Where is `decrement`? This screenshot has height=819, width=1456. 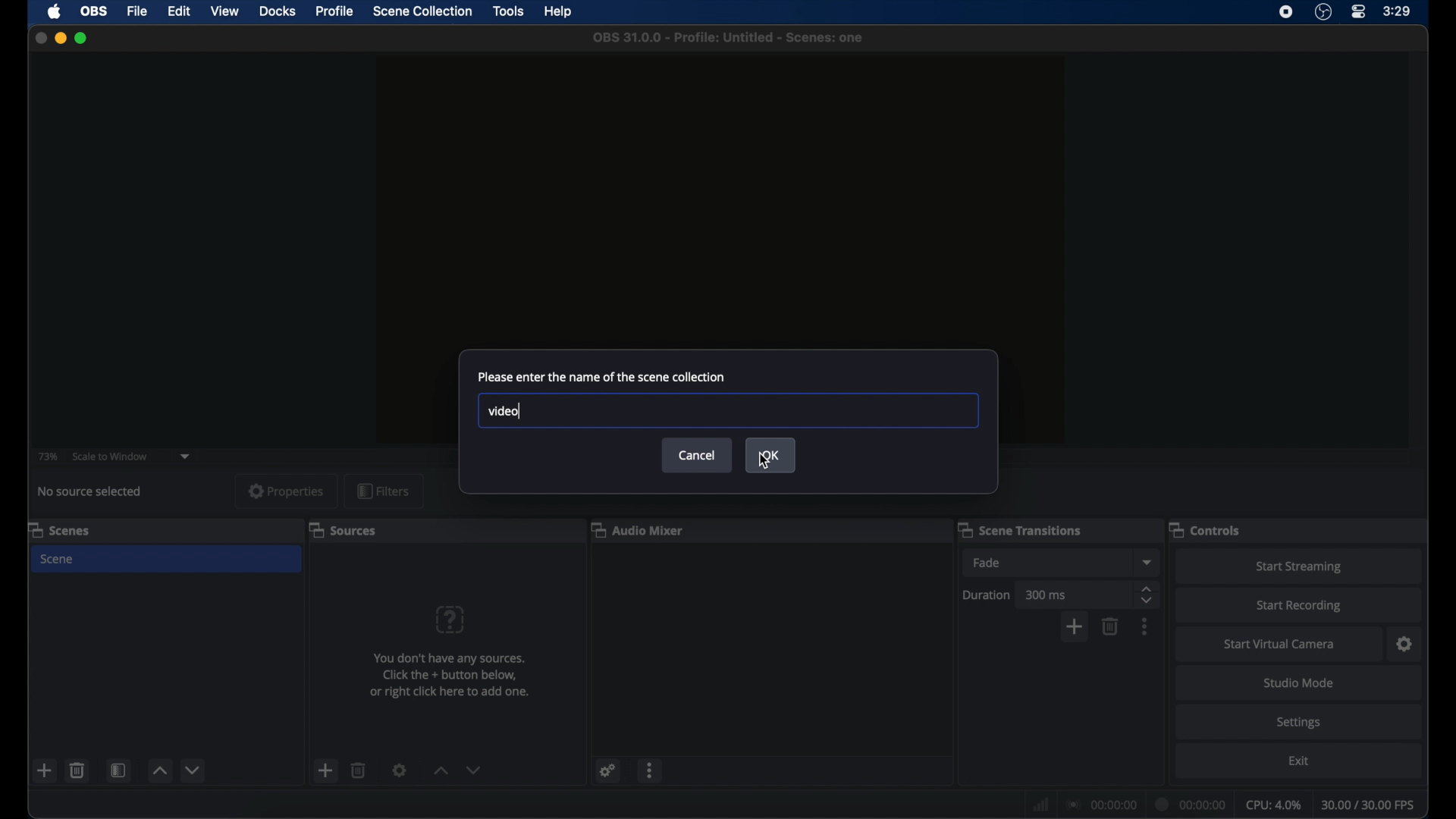 decrement is located at coordinates (194, 770).